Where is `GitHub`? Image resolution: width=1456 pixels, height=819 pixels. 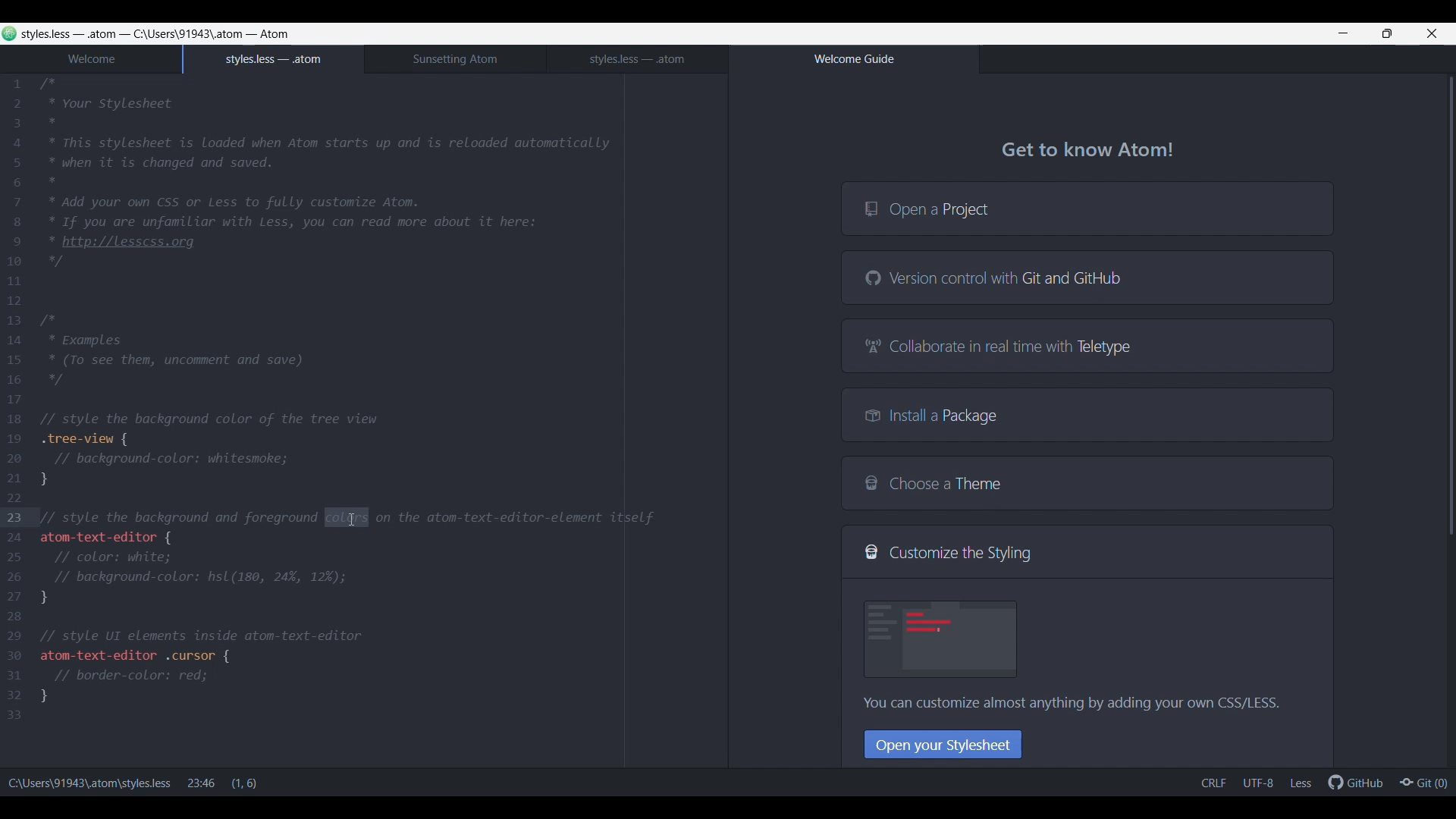 GitHub is located at coordinates (1355, 781).